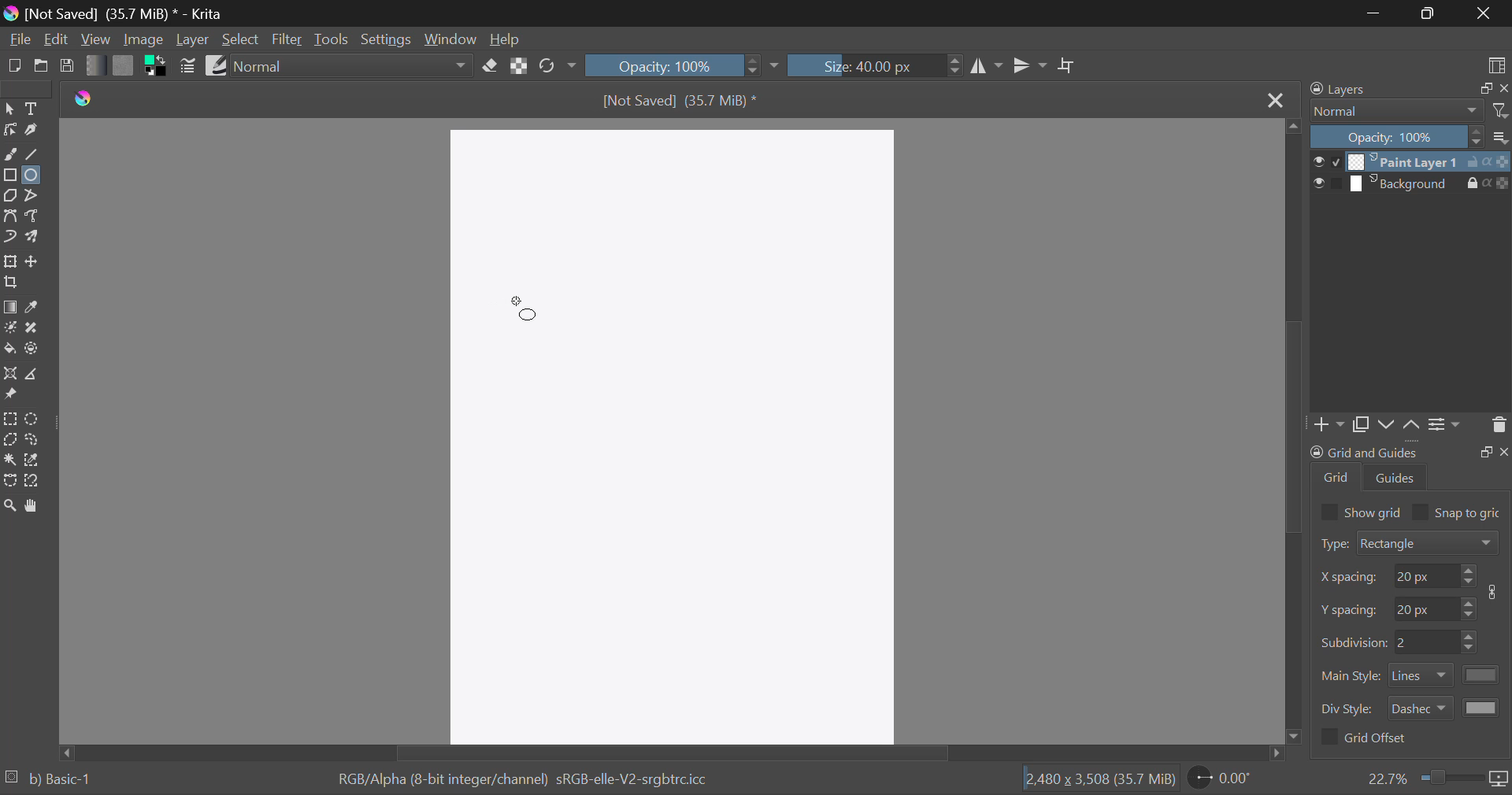 The image size is (1512, 795). What do you see at coordinates (11, 154) in the screenshot?
I see `Freehand` at bounding box center [11, 154].